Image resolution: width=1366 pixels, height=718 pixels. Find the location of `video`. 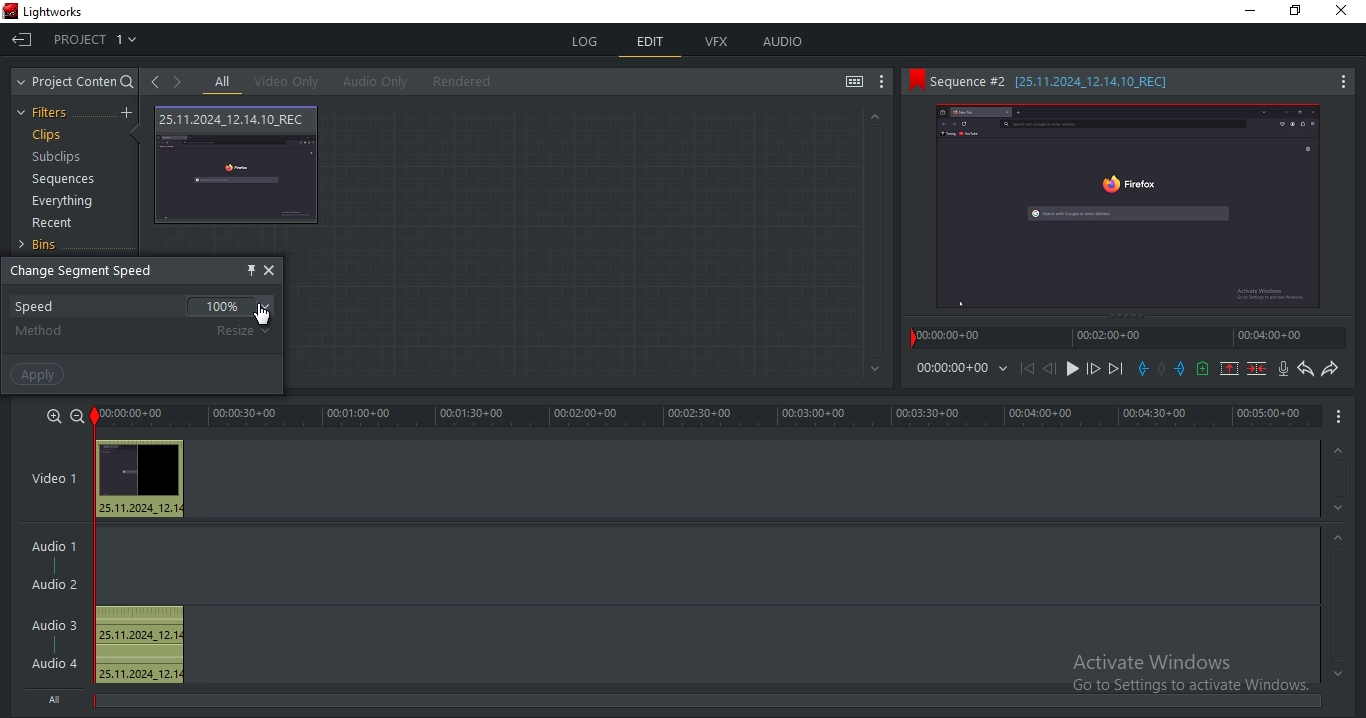

video is located at coordinates (238, 166).